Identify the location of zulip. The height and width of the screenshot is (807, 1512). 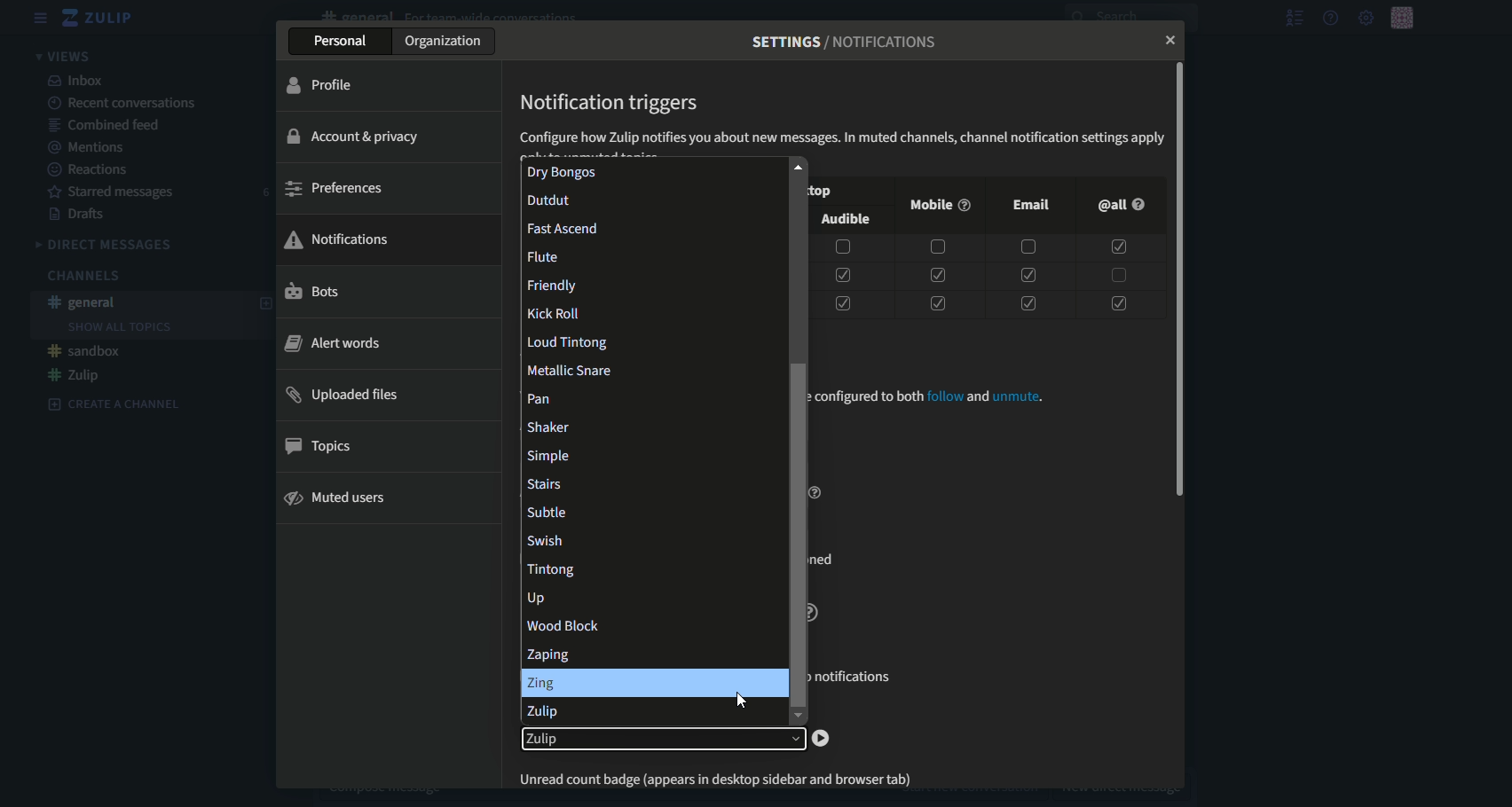
(650, 711).